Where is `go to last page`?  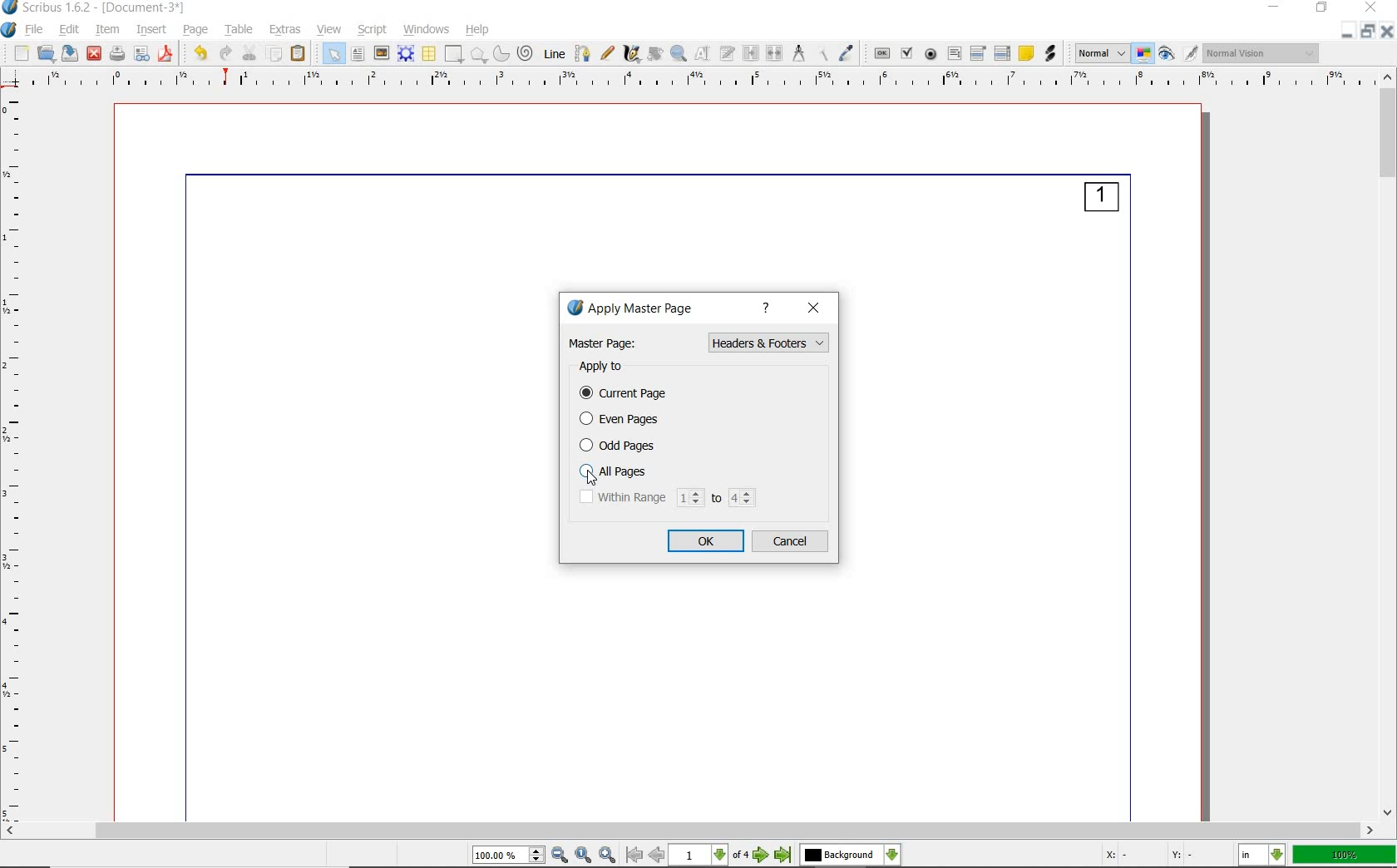 go to last page is located at coordinates (783, 856).